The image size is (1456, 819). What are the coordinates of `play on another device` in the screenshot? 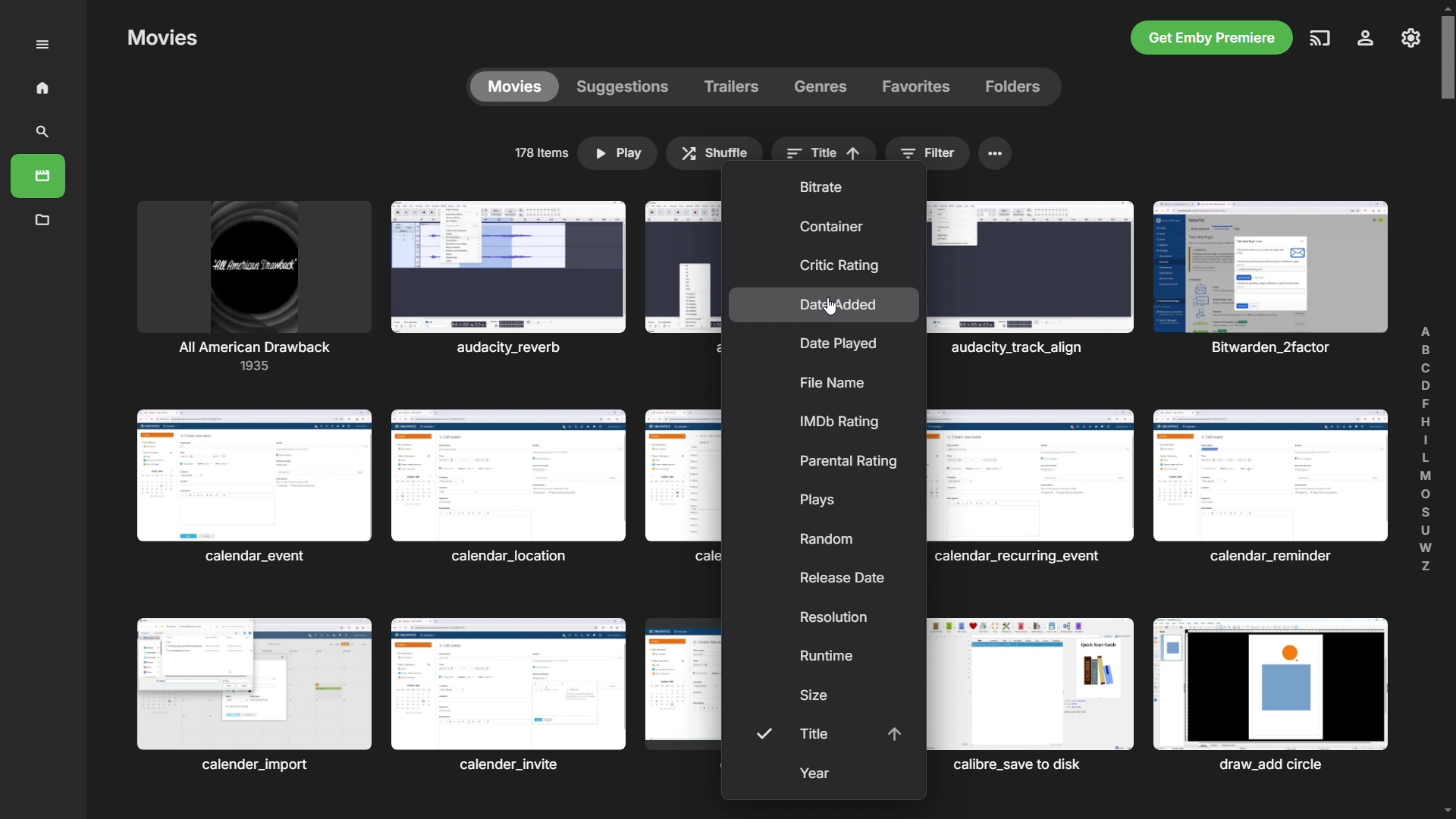 It's located at (1319, 39).